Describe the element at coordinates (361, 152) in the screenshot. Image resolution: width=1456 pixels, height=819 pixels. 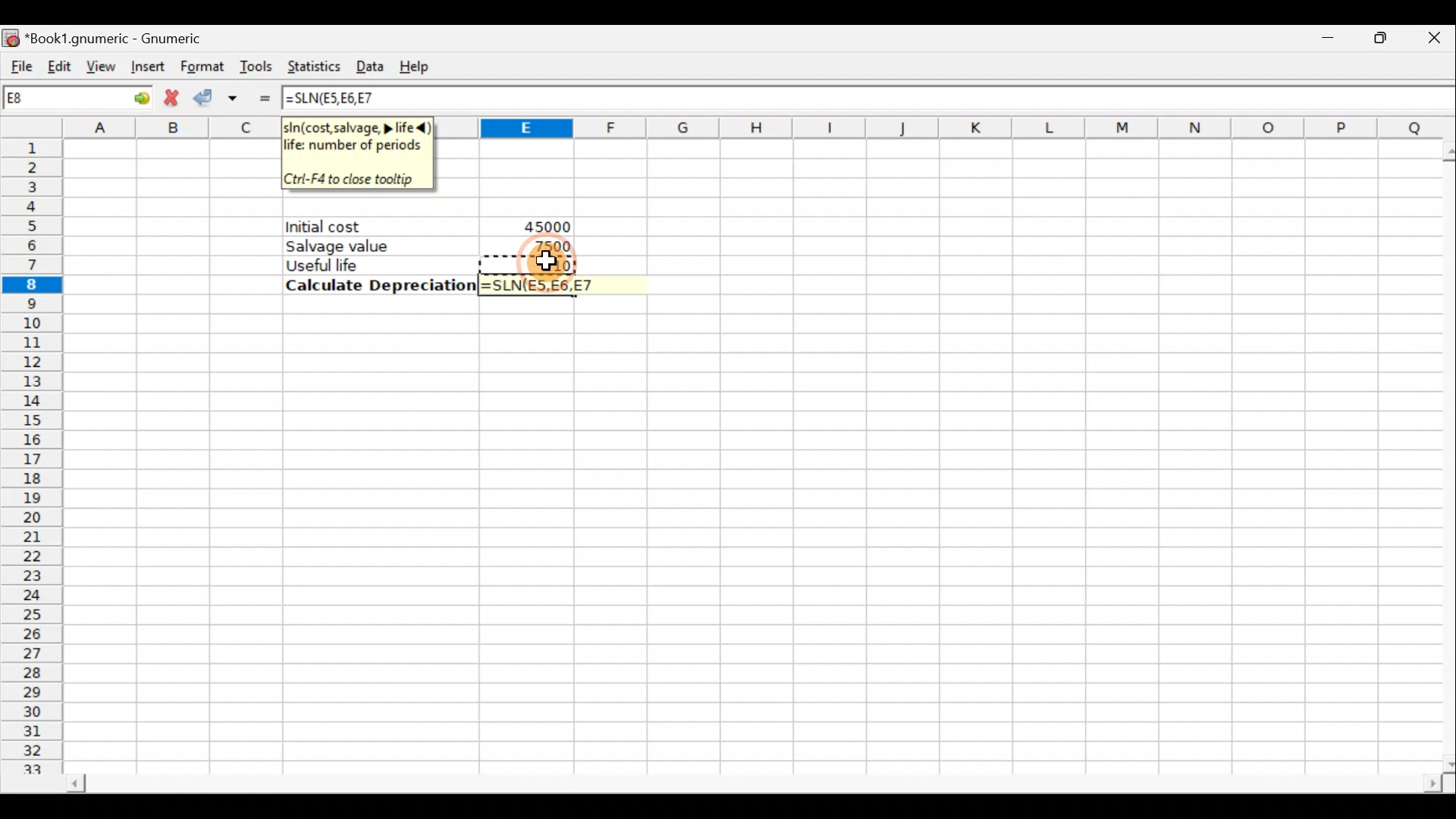
I see `sln(cost,salvage> life<)life: number of periods. Ctrl+F4 to close tooltip` at that location.